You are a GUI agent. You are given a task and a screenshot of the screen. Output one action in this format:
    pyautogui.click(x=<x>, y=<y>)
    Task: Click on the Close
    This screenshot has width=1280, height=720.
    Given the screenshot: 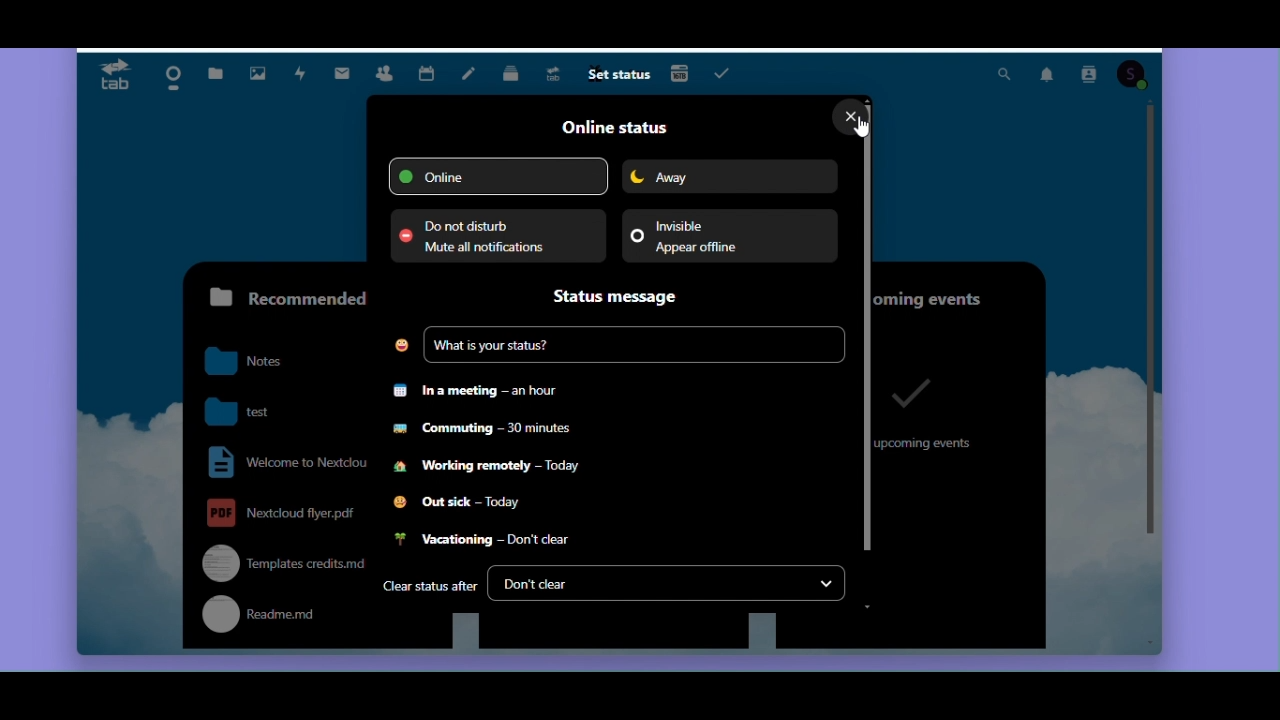 What is the action you would take?
    pyautogui.click(x=847, y=117)
    